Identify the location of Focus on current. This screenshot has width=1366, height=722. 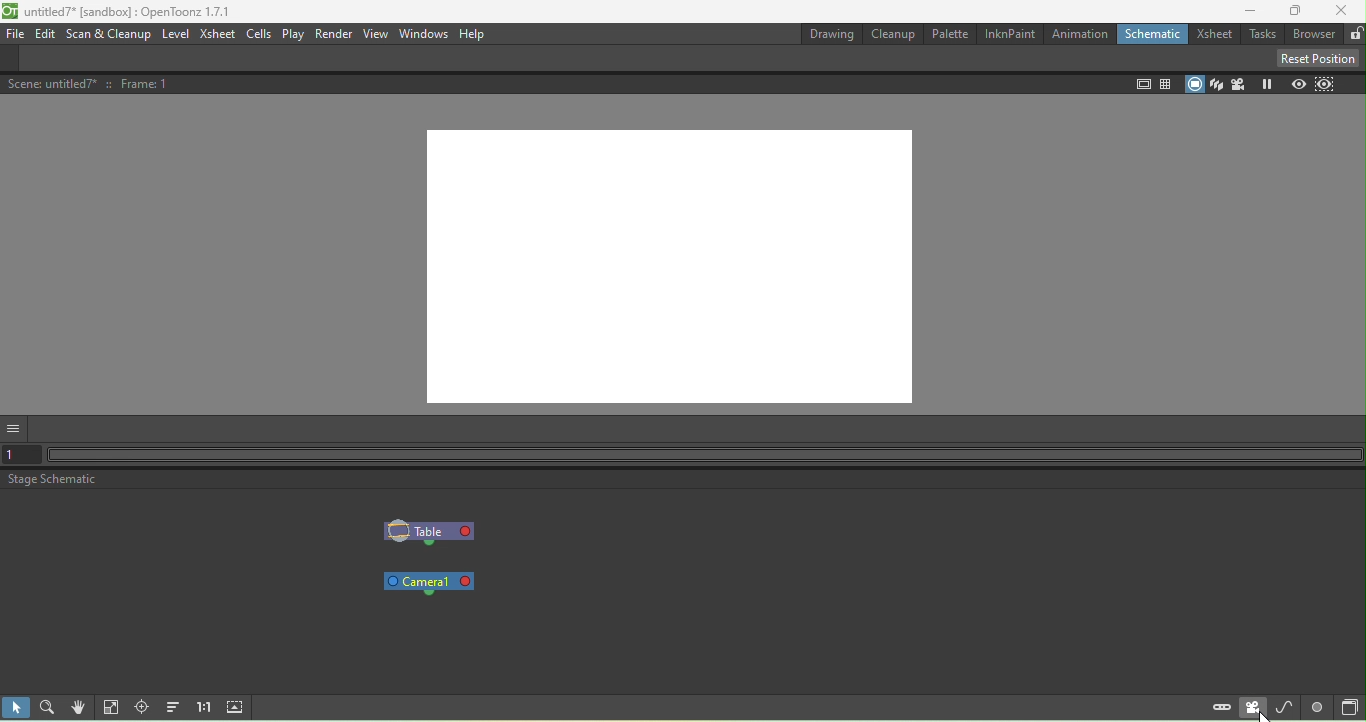
(145, 708).